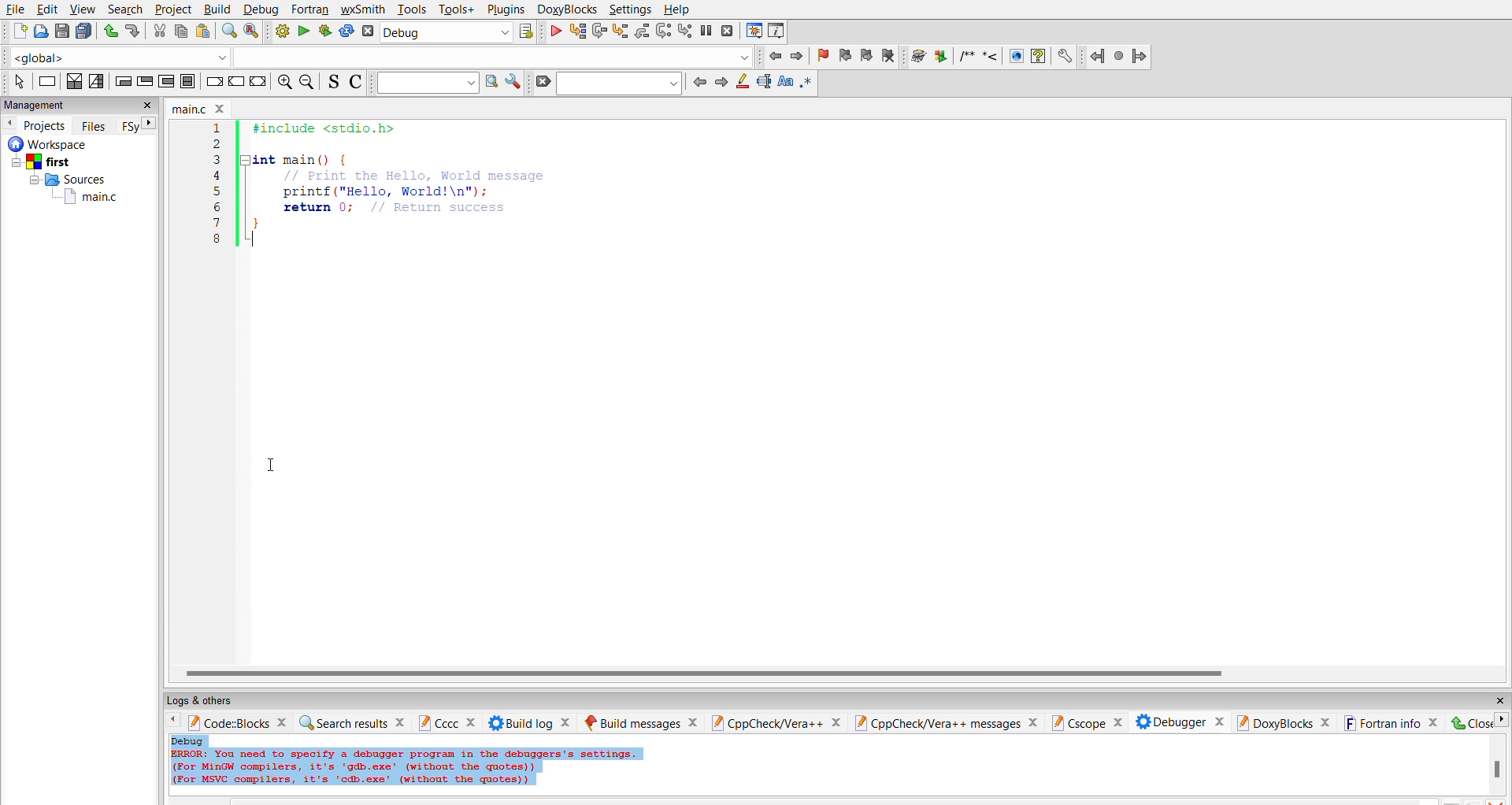  Describe the element at coordinates (579, 32) in the screenshot. I see `run to cursor` at that location.